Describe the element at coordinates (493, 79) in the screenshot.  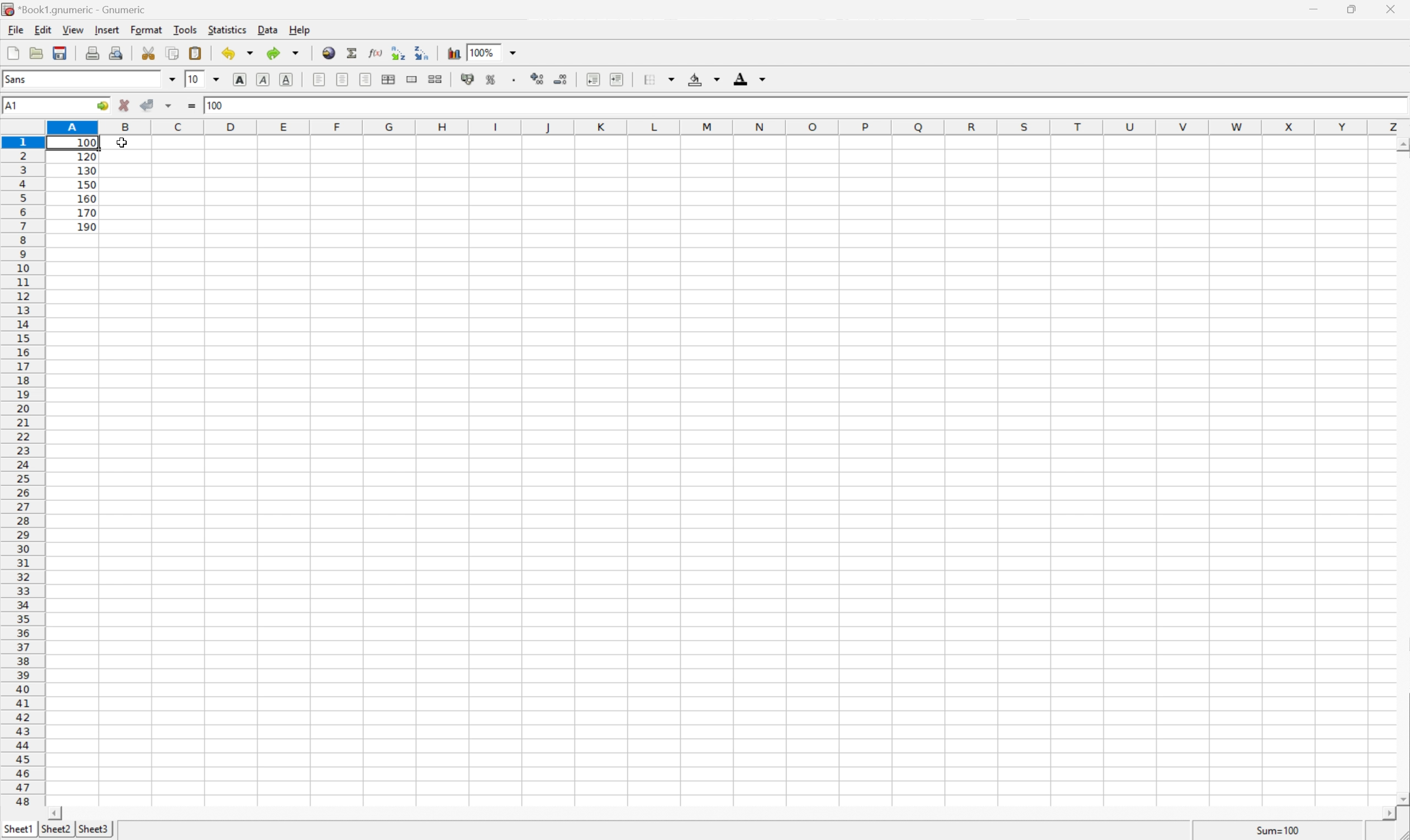
I see `Format the selection as percentage` at that location.